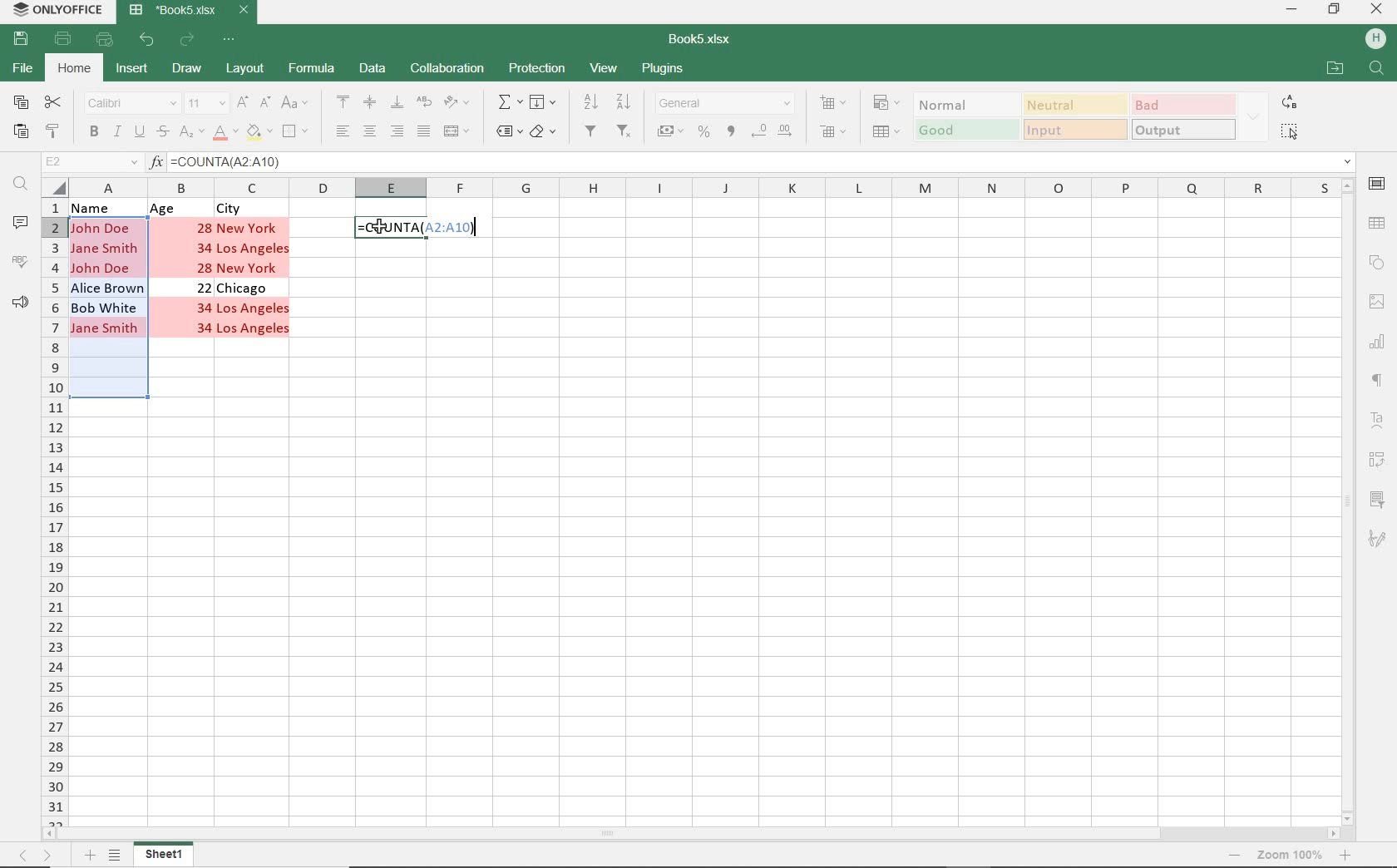 The height and width of the screenshot is (868, 1397). What do you see at coordinates (65, 38) in the screenshot?
I see `PRINT` at bounding box center [65, 38].